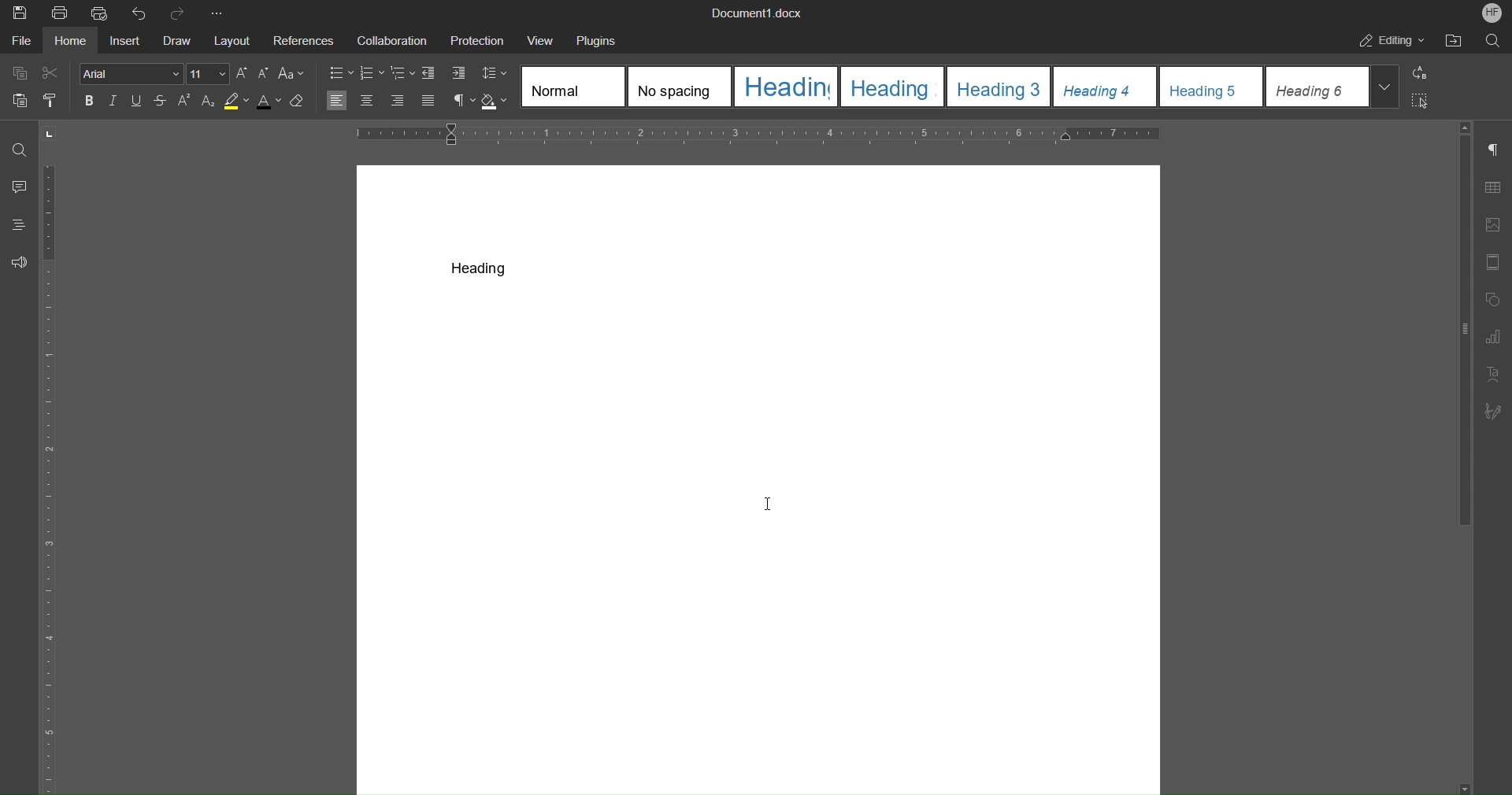  Describe the element at coordinates (1494, 334) in the screenshot. I see `Graph` at that location.